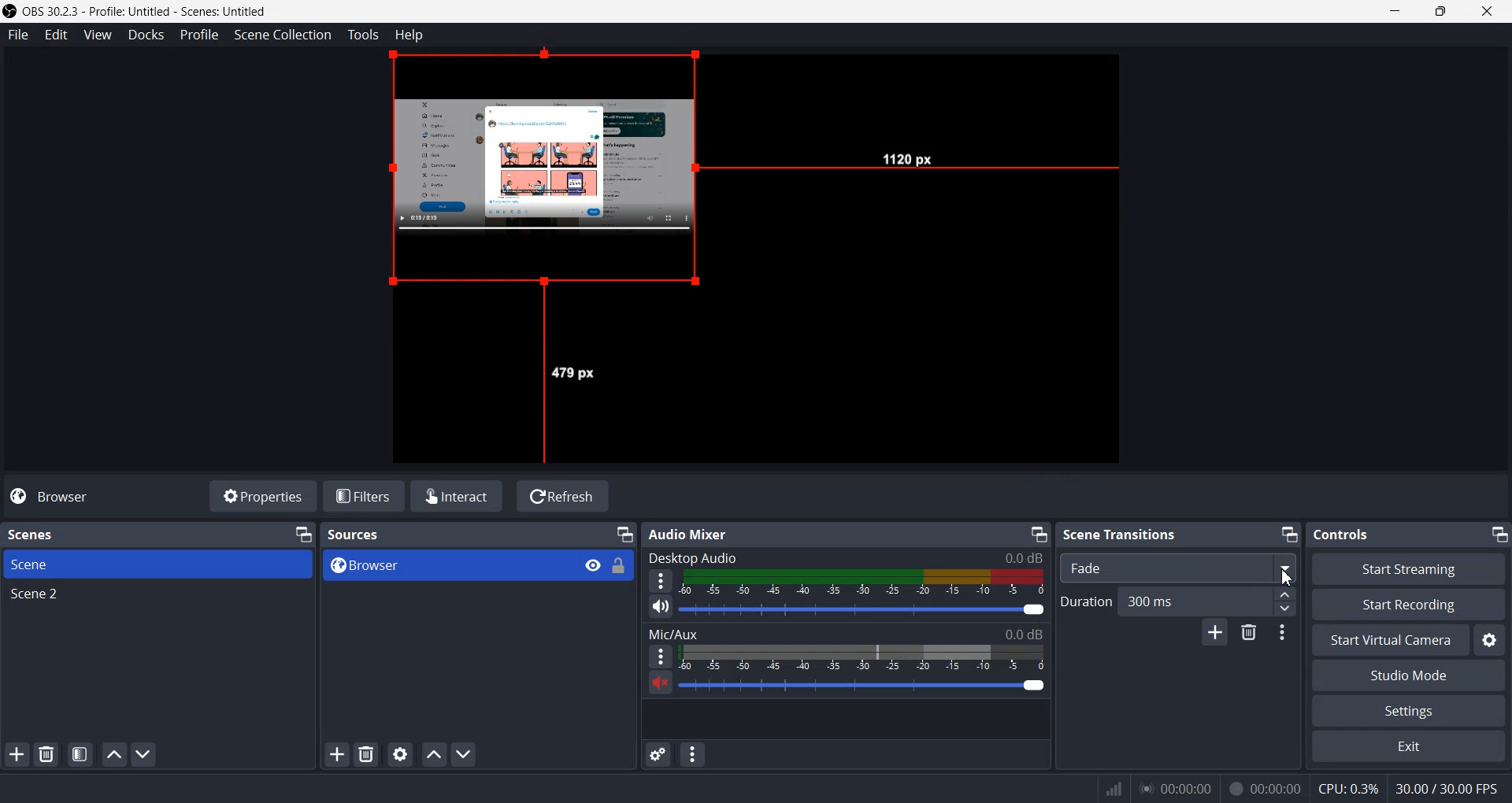 The image size is (1512, 803). I want to click on Start Recording, so click(1409, 605).